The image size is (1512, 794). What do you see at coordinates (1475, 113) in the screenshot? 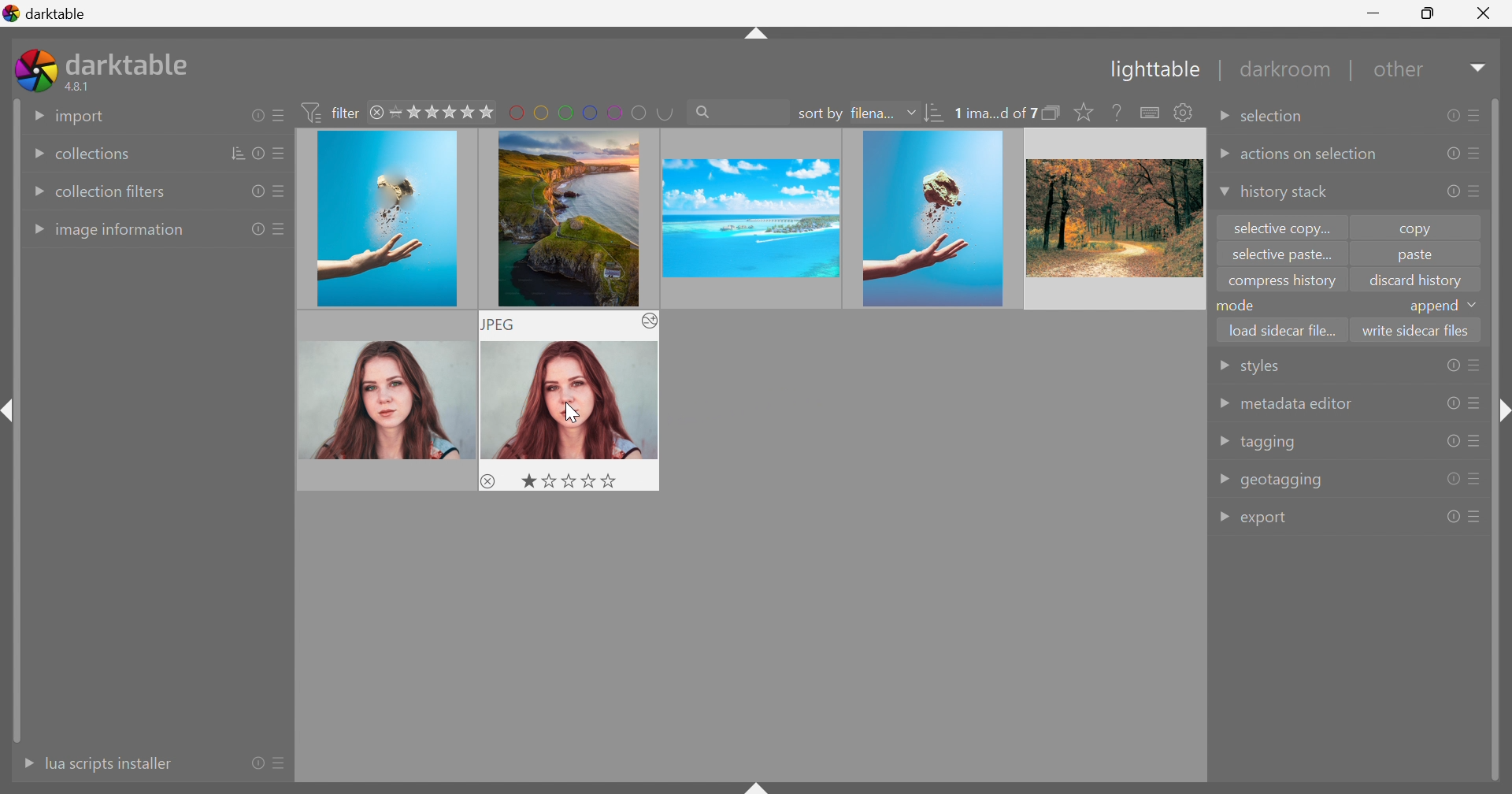
I see `presets` at bounding box center [1475, 113].